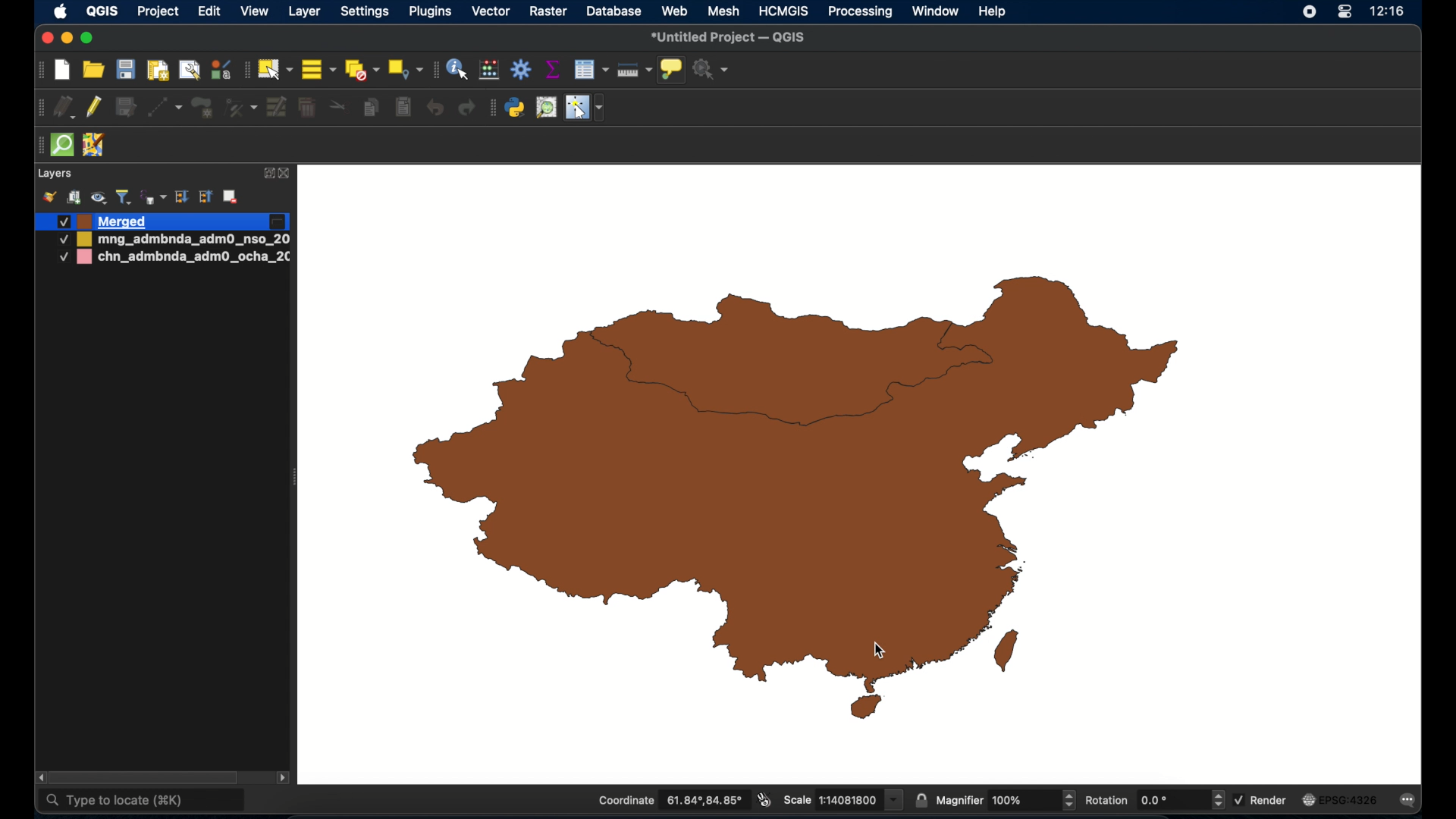  What do you see at coordinates (546, 108) in the screenshot?
I see `osm place search` at bounding box center [546, 108].